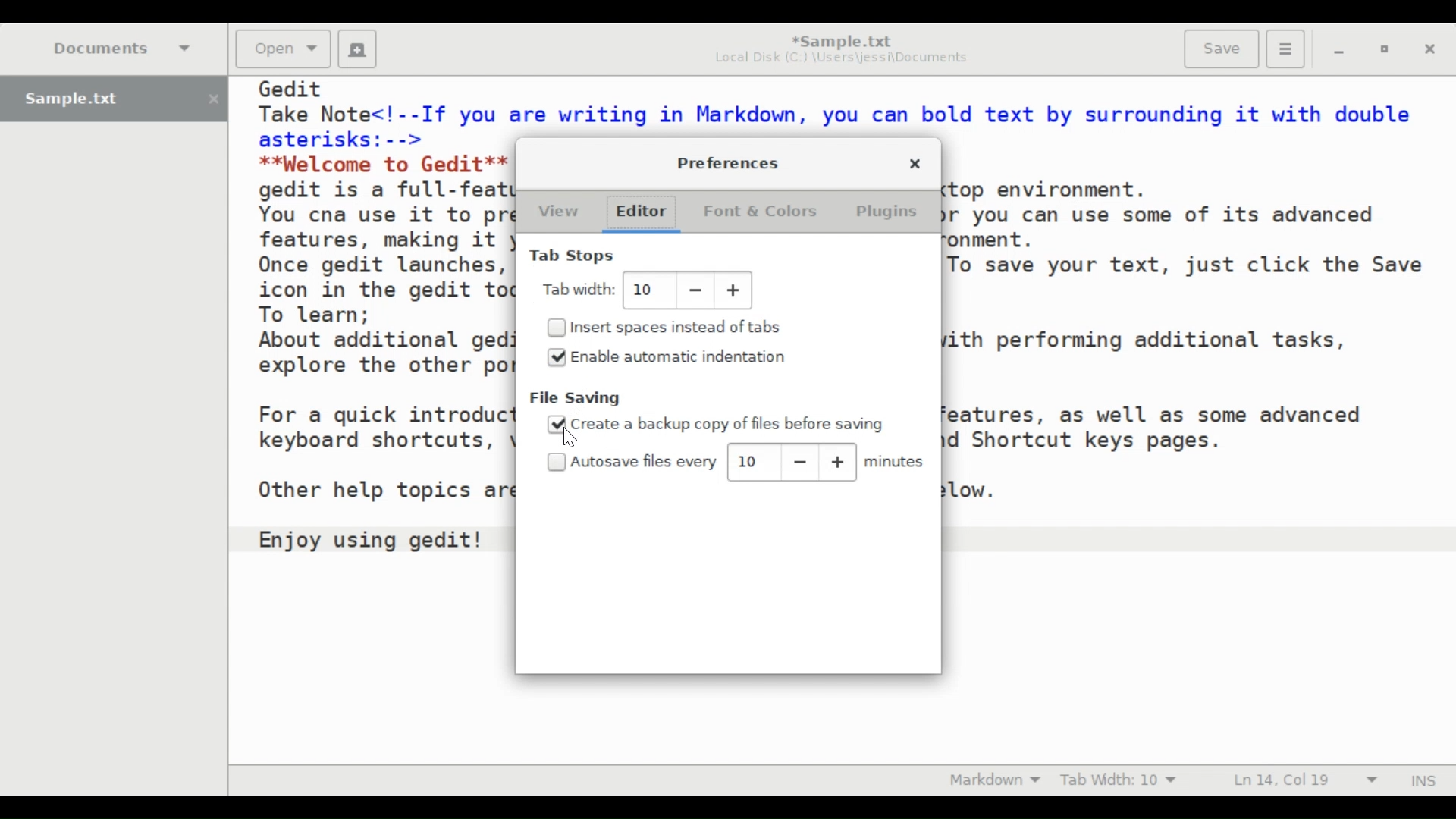 The width and height of the screenshot is (1456, 819). I want to click on Tab Width, so click(580, 289).